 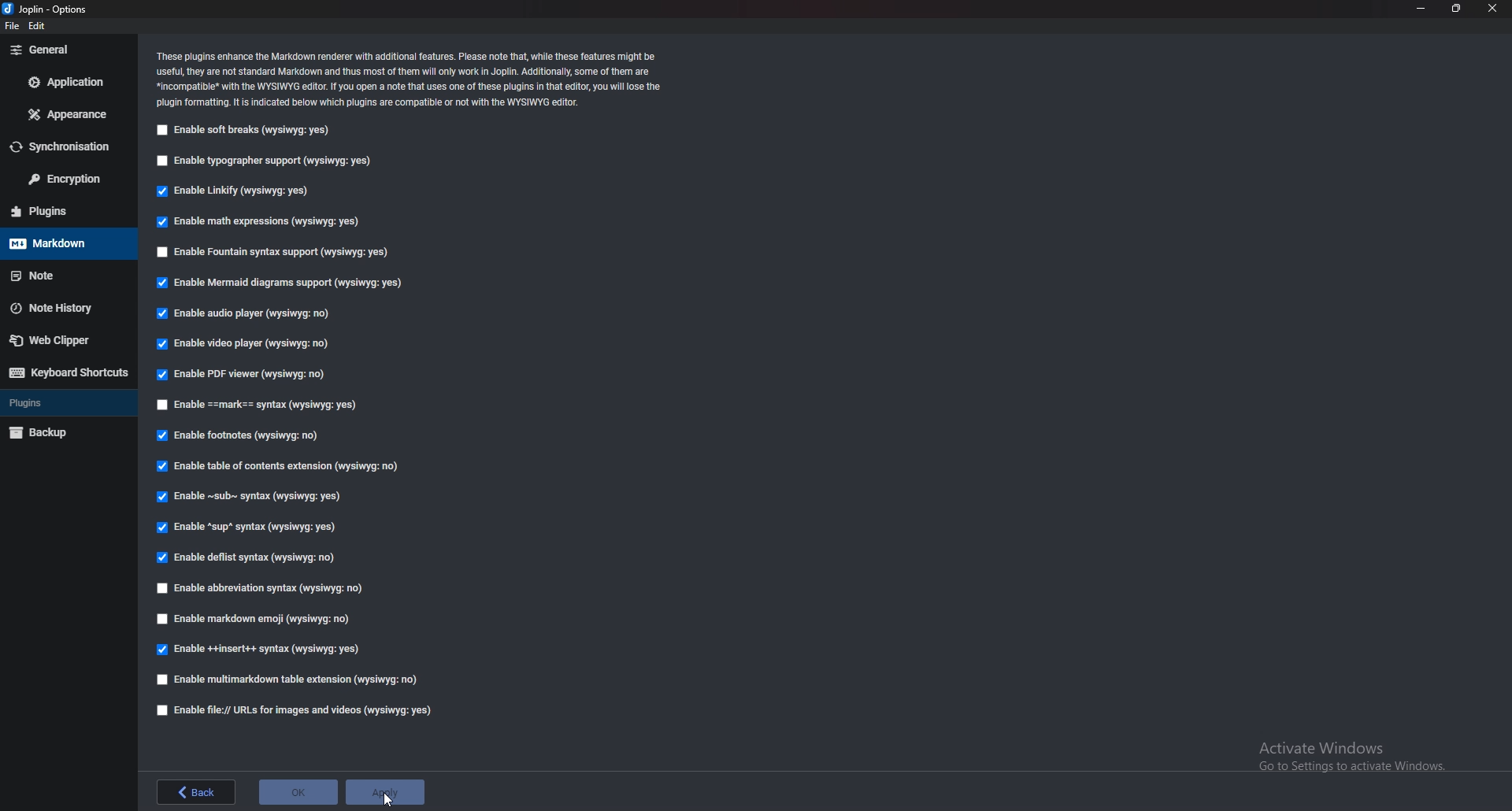 What do you see at coordinates (239, 436) in the screenshot?
I see `Enable footnotes` at bounding box center [239, 436].